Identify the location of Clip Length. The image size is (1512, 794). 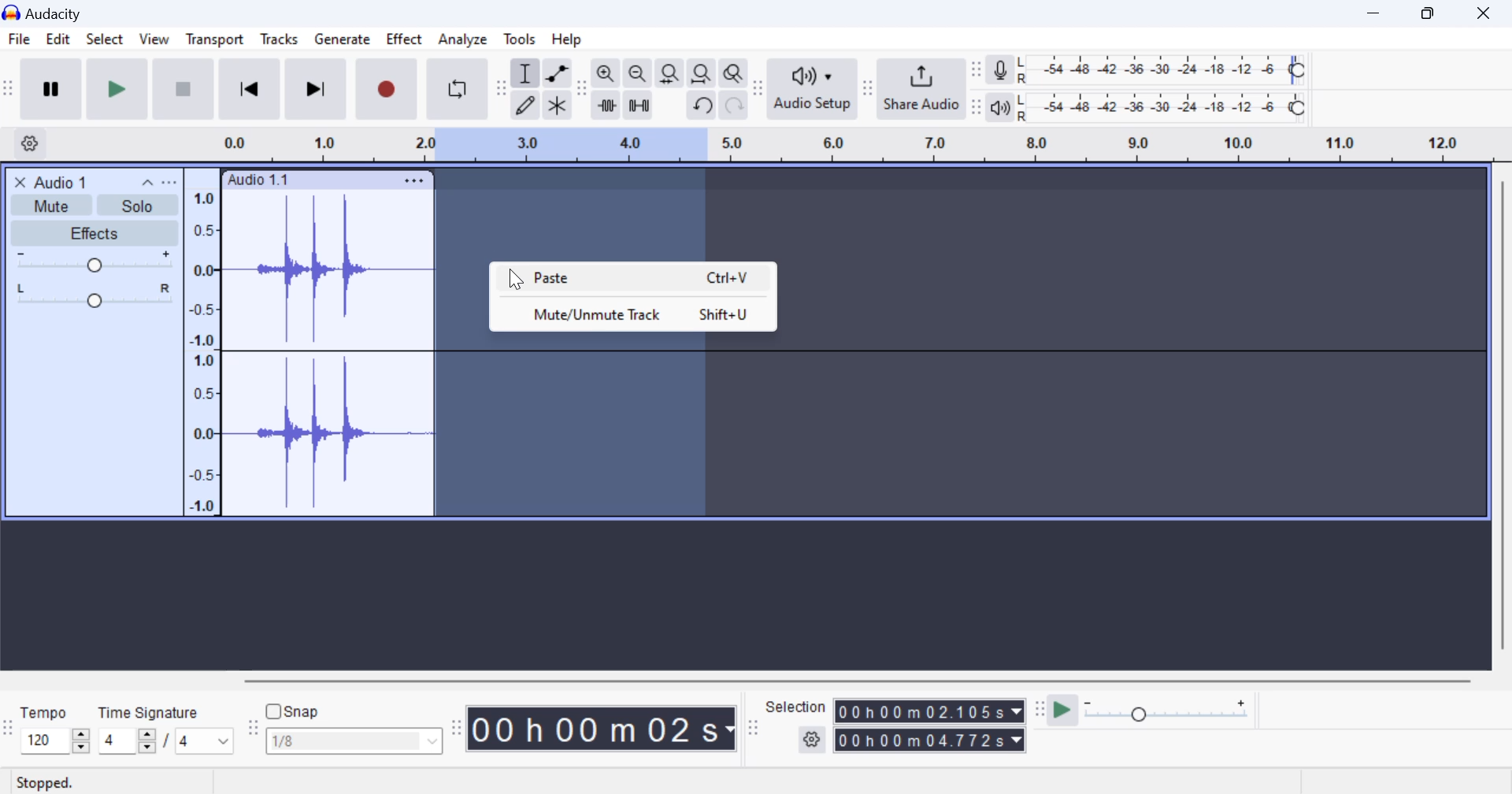
(605, 728).